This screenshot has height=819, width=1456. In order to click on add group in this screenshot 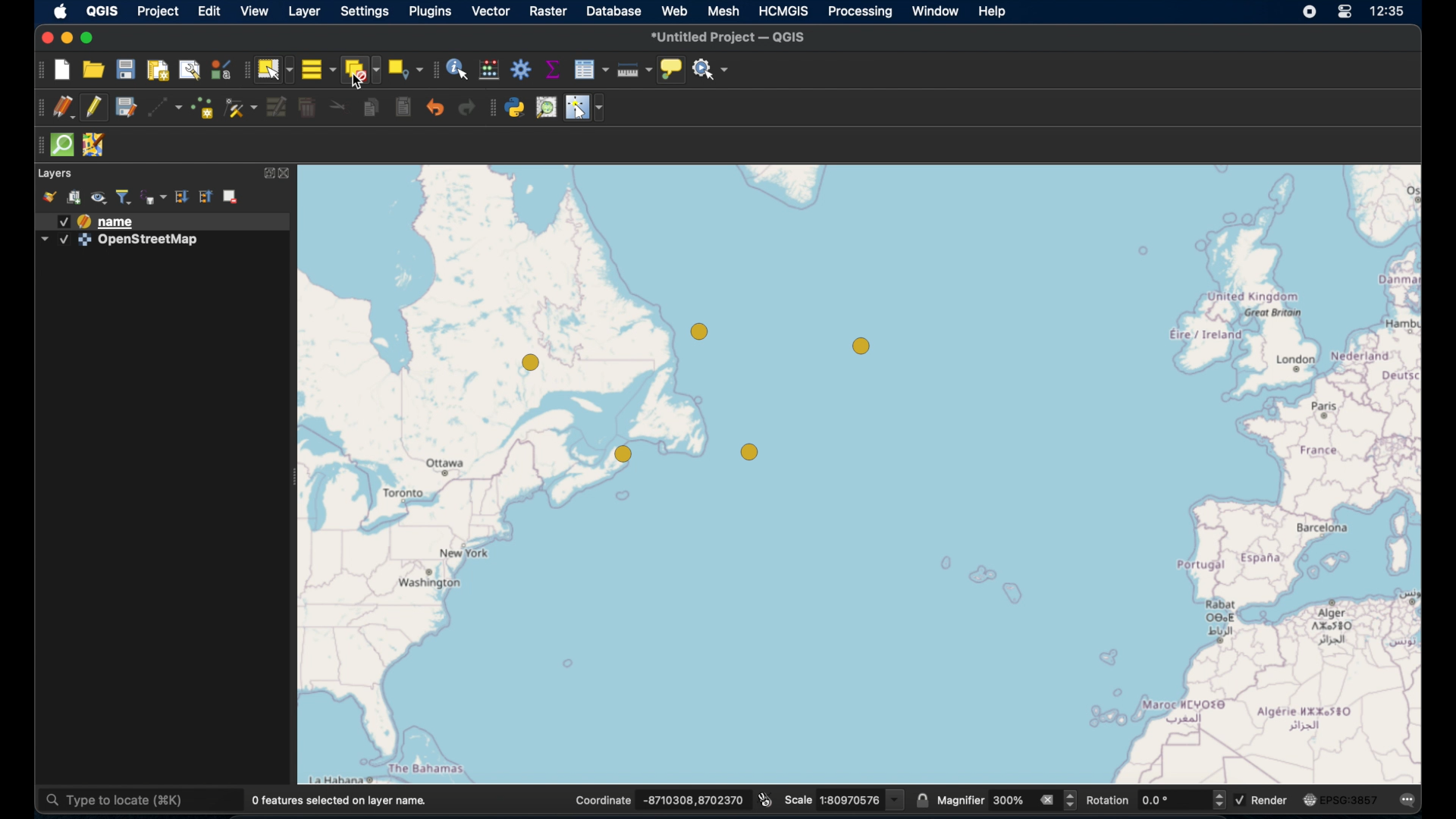, I will do `click(74, 199)`.